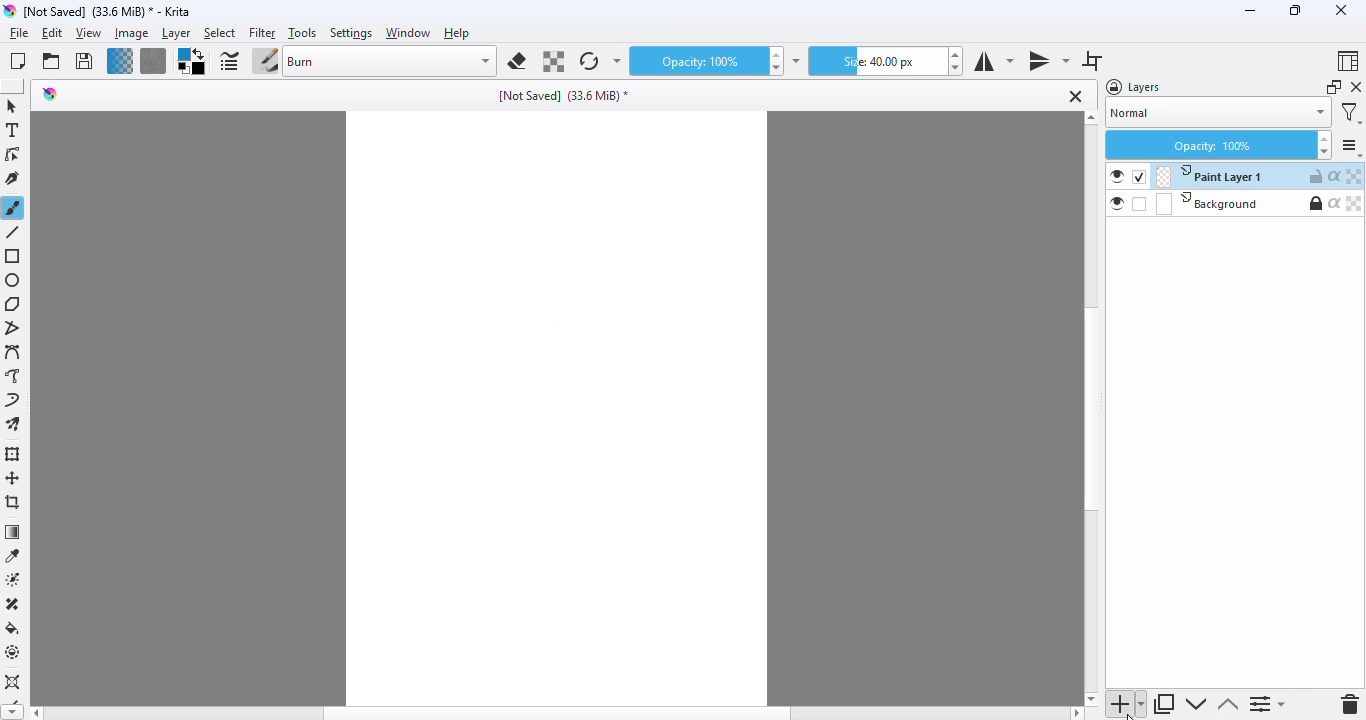  What do you see at coordinates (13, 376) in the screenshot?
I see `freehand path tool` at bounding box center [13, 376].